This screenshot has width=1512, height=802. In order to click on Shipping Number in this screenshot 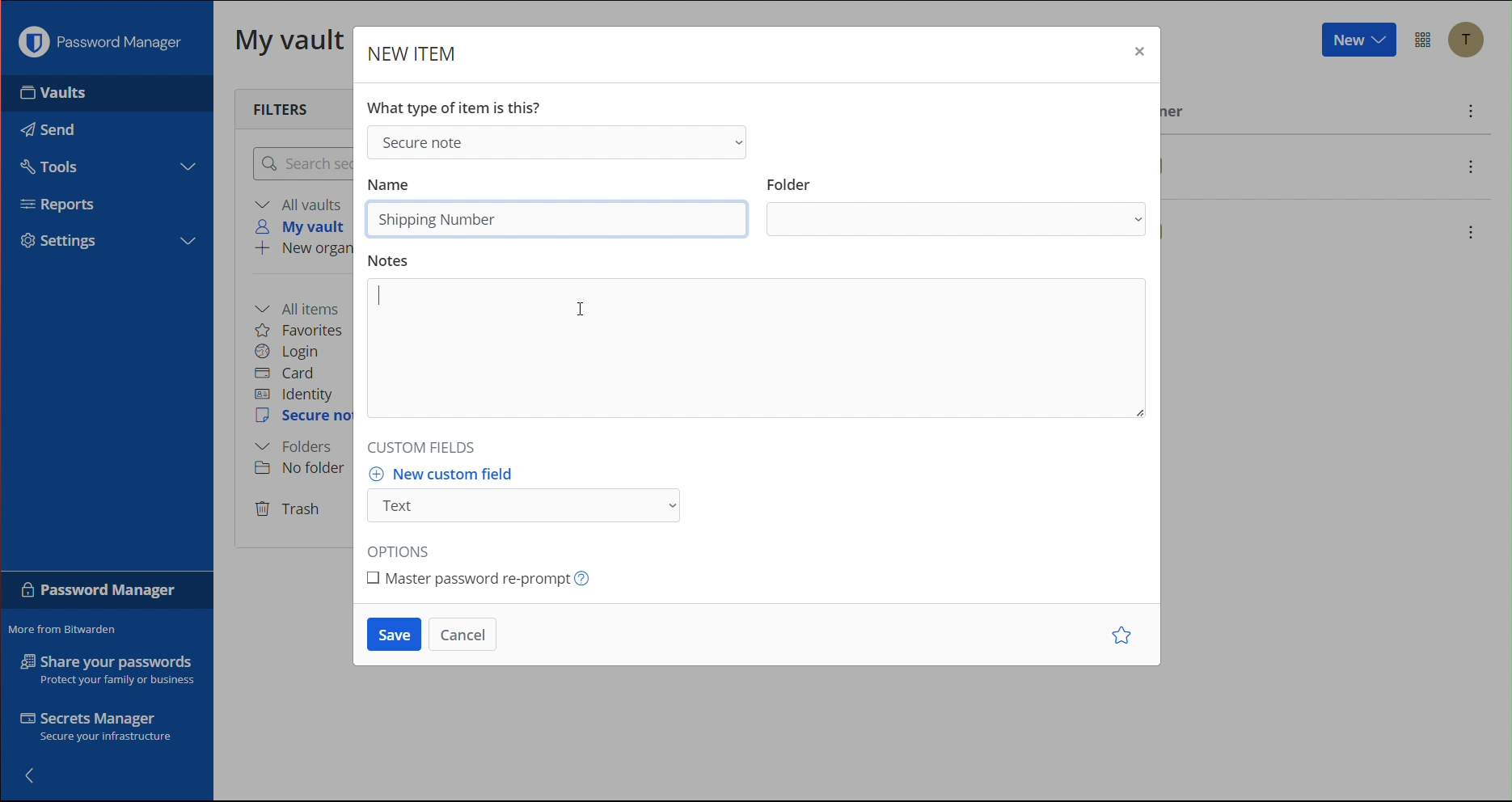, I will do `click(439, 219)`.